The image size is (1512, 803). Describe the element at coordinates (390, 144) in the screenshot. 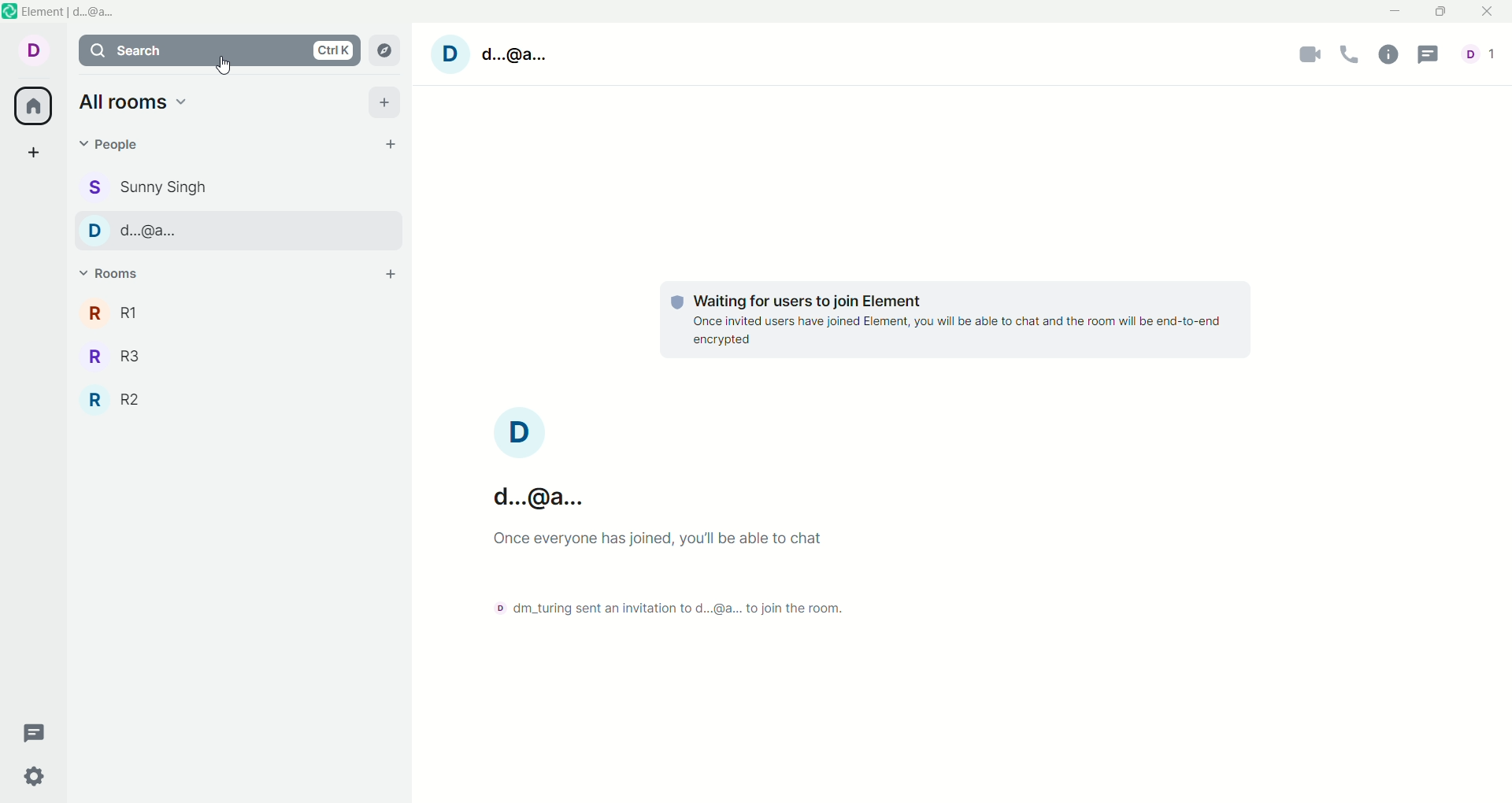

I see `start chat` at that location.